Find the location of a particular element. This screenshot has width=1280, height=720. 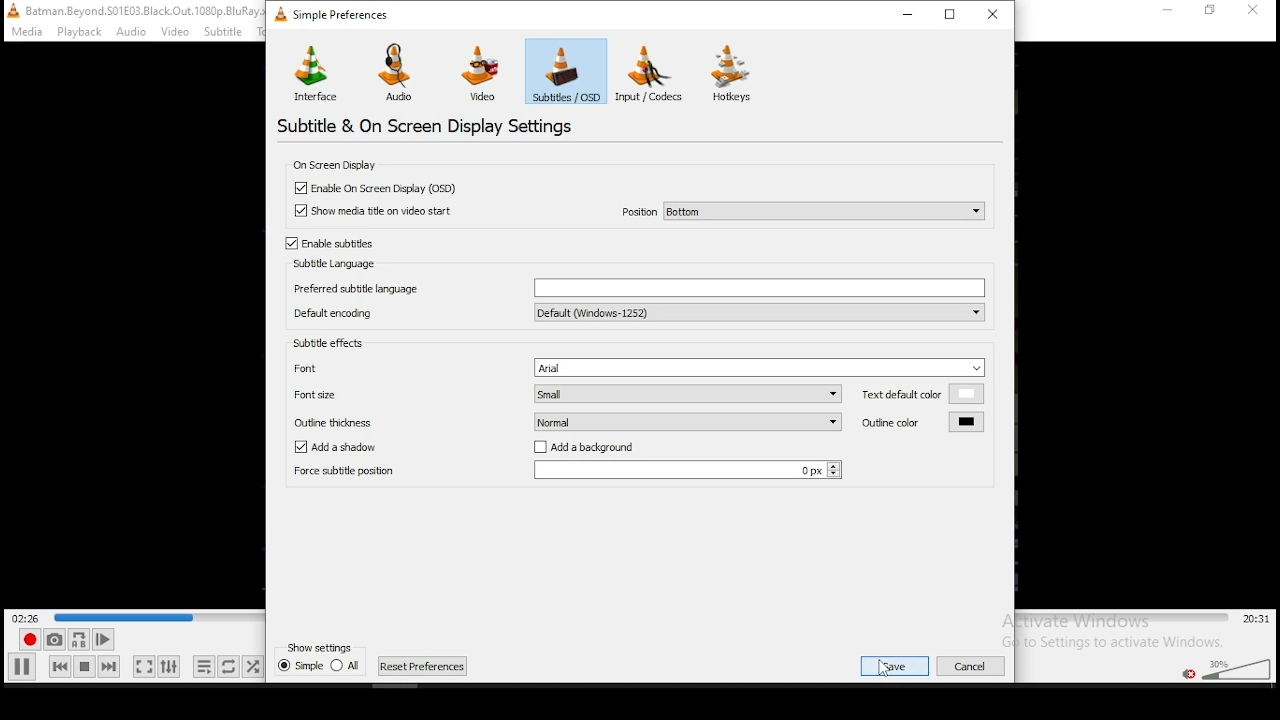

 is located at coordinates (230, 31).